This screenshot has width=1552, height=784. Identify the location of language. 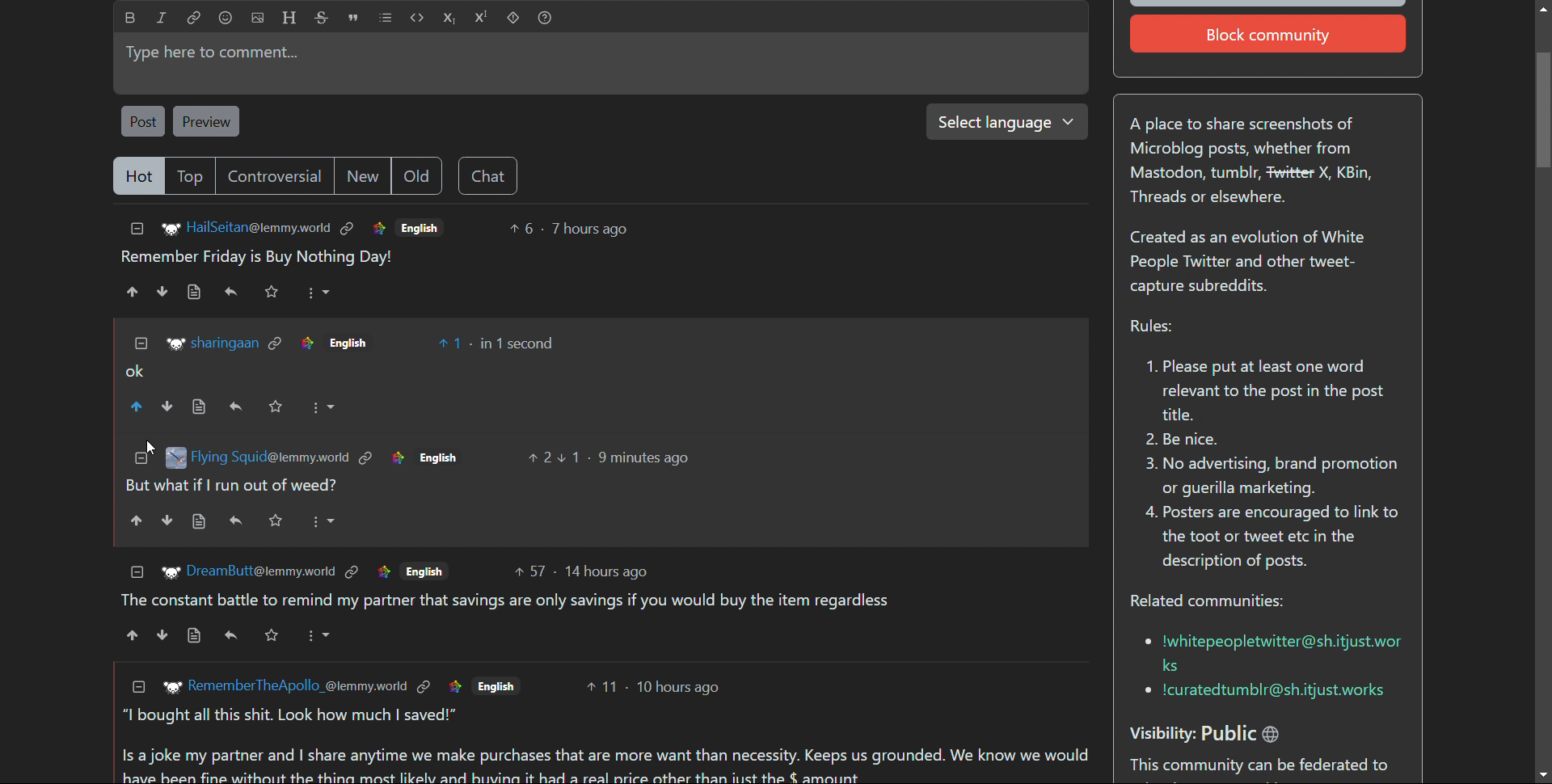
(430, 571).